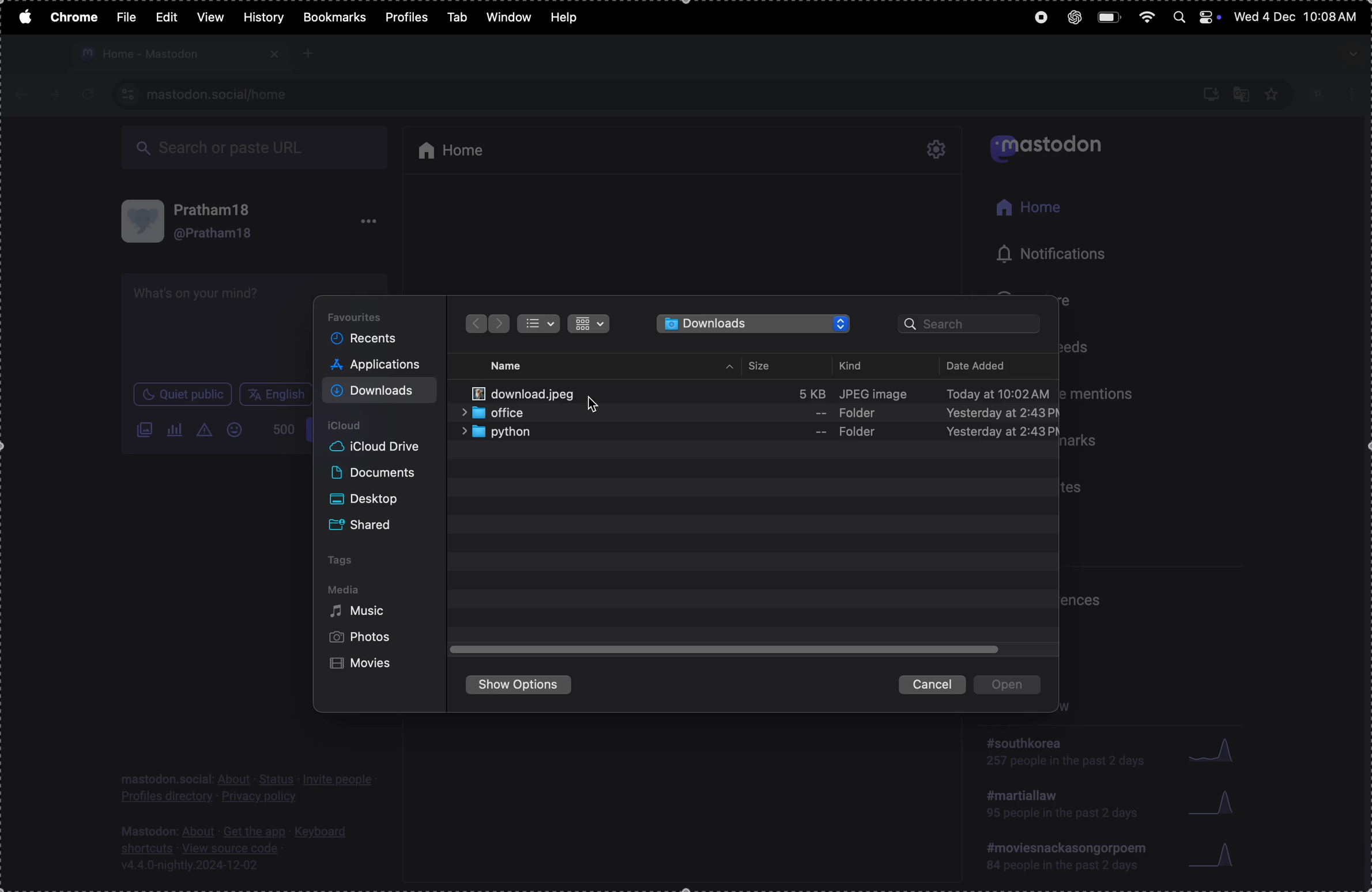 The width and height of the screenshot is (1372, 892). What do you see at coordinates (263, 17) in the screenshot?
I see `History` at bounding box center [263, 17].